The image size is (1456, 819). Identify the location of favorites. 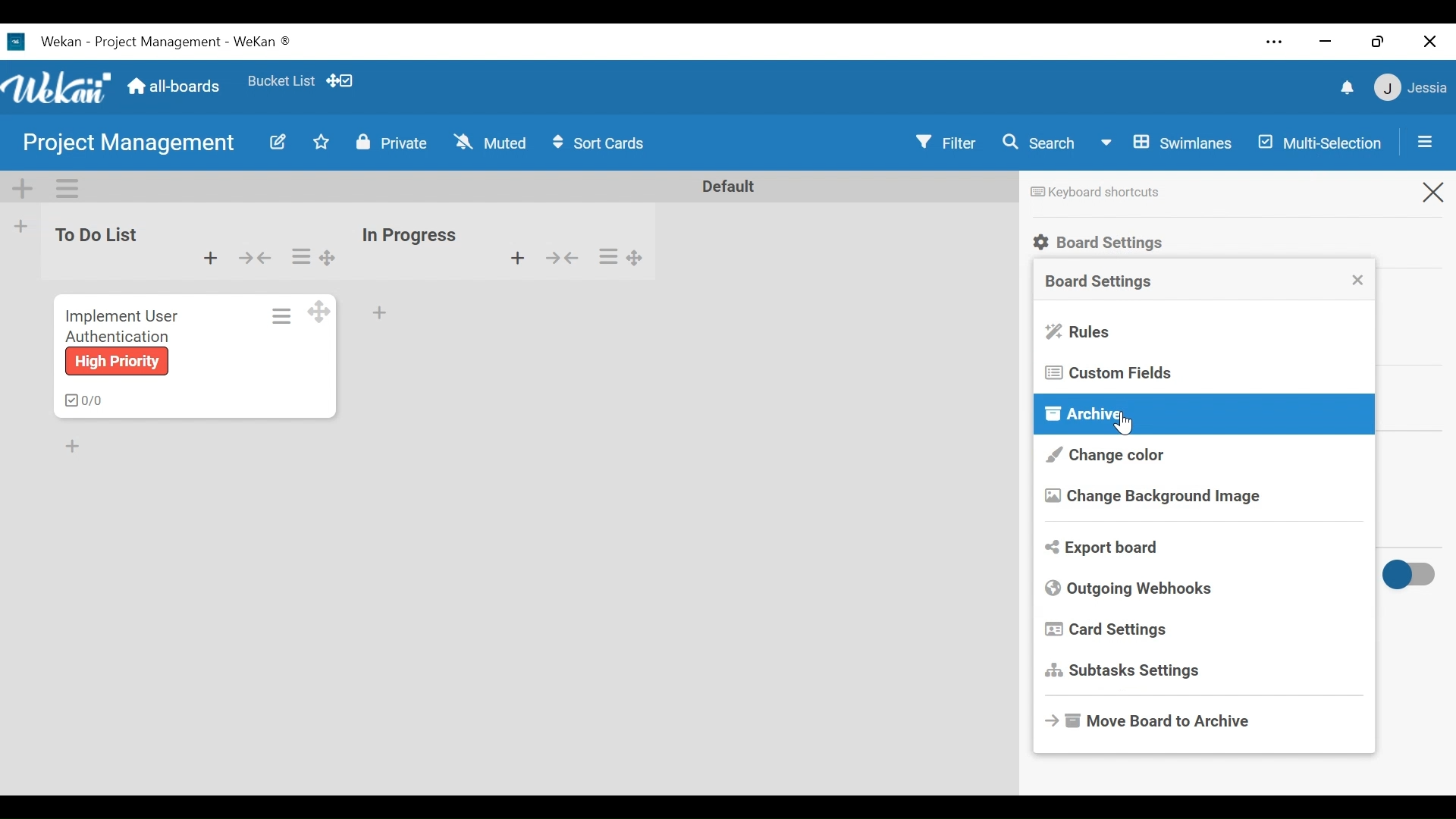
(279, 78).